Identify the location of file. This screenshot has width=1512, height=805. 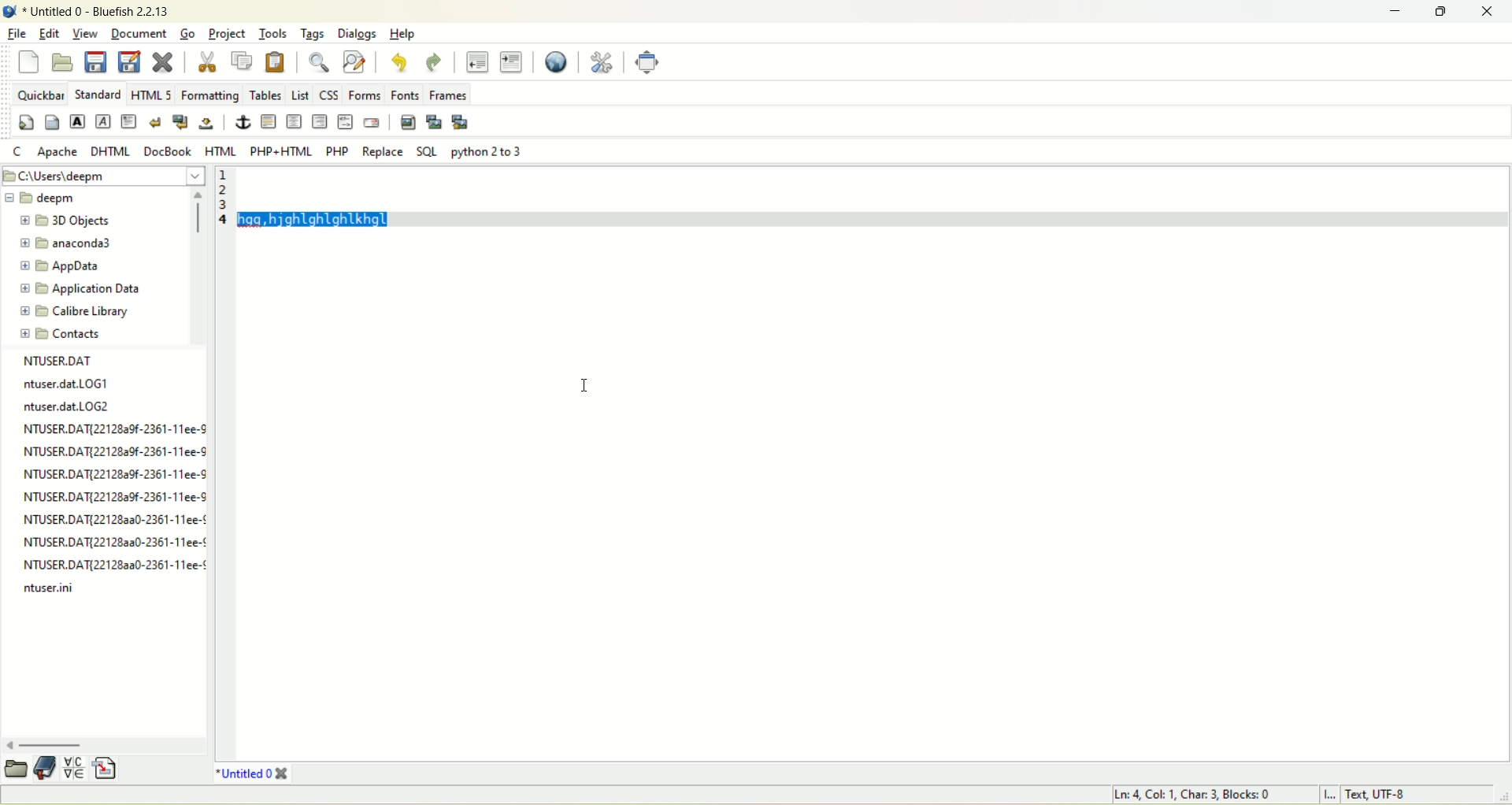
(17, 35).